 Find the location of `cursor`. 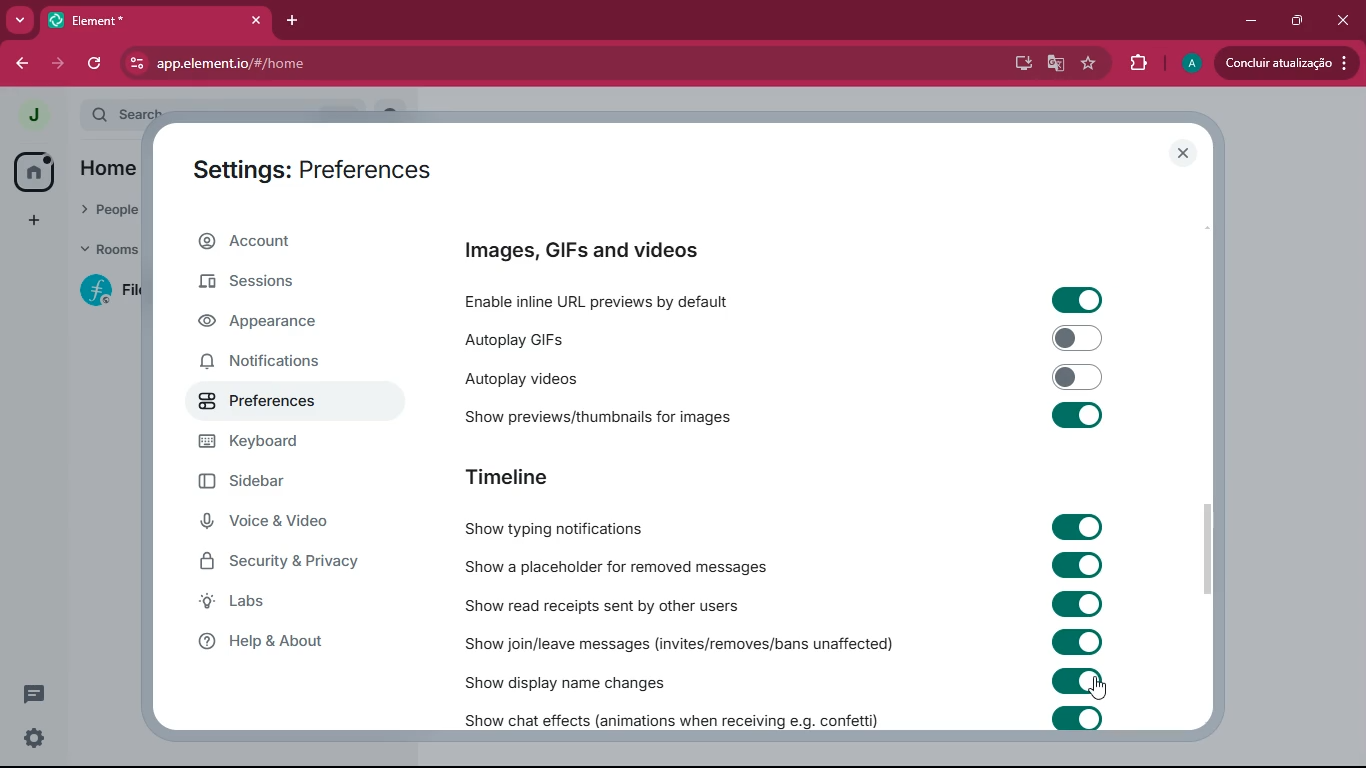

cursor is located at coordinates (1096, 689).